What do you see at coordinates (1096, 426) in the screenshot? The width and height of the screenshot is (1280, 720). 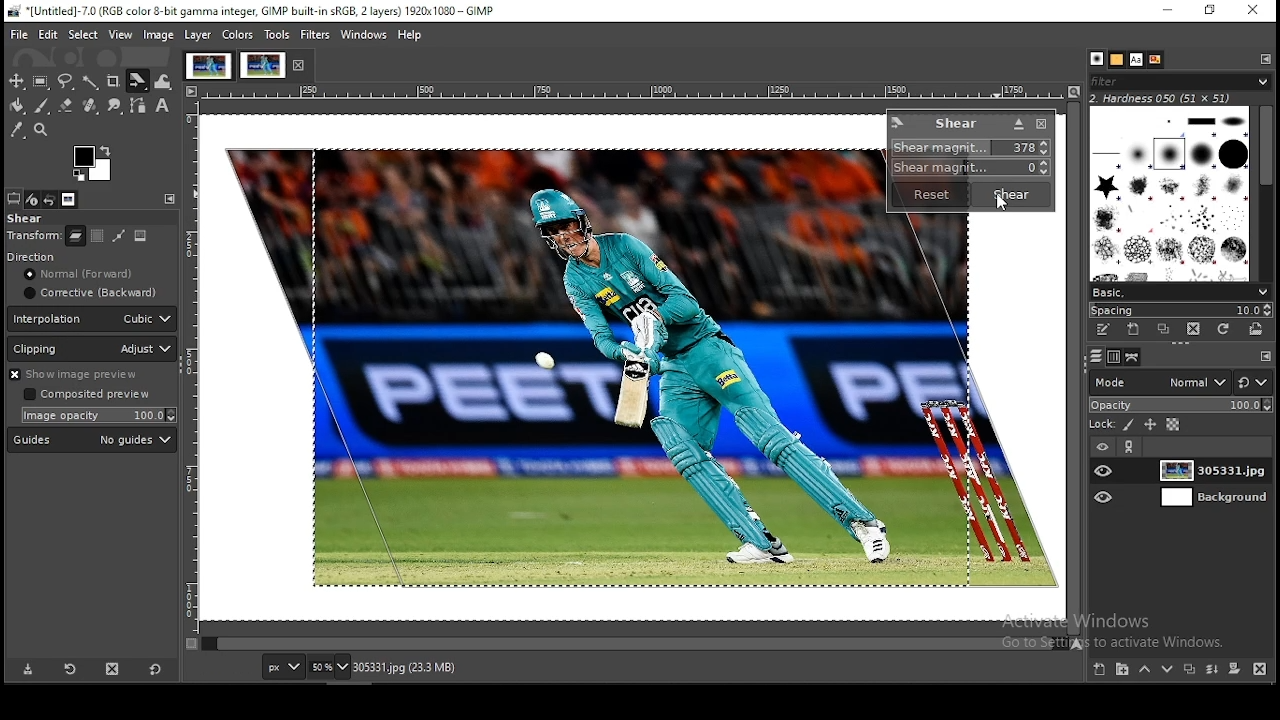 I see `lock` at bounding box center [1096, 426].